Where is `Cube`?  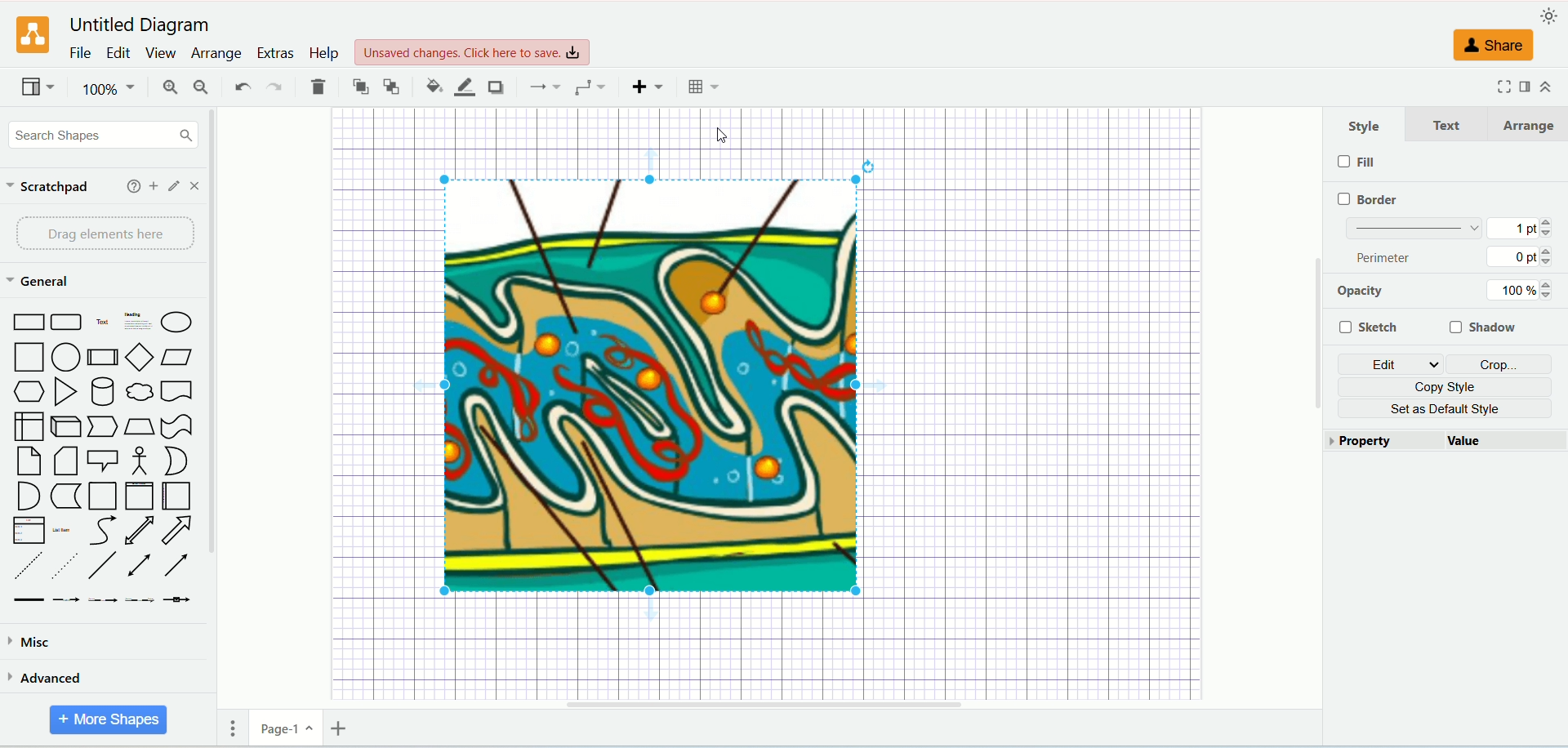 Cube is located at coordinates (68, 427).